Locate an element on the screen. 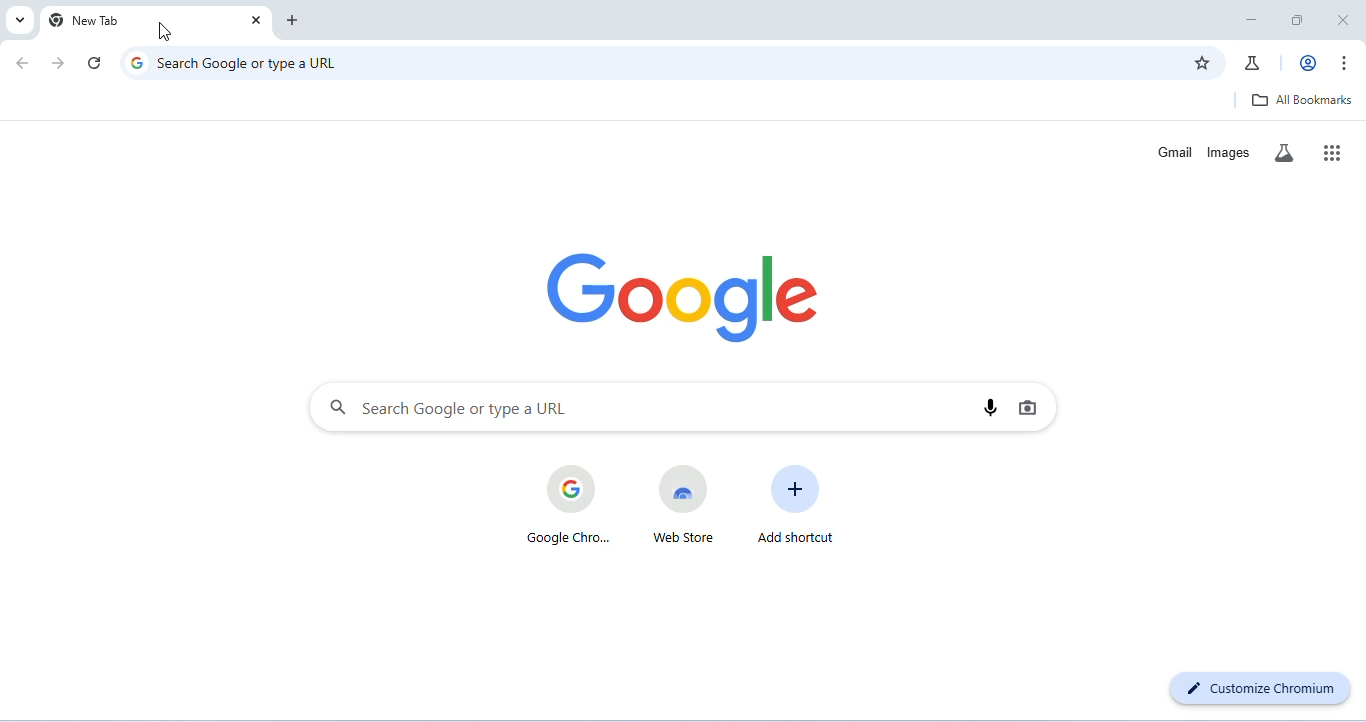  google logo is located at coordinates (692, 294).